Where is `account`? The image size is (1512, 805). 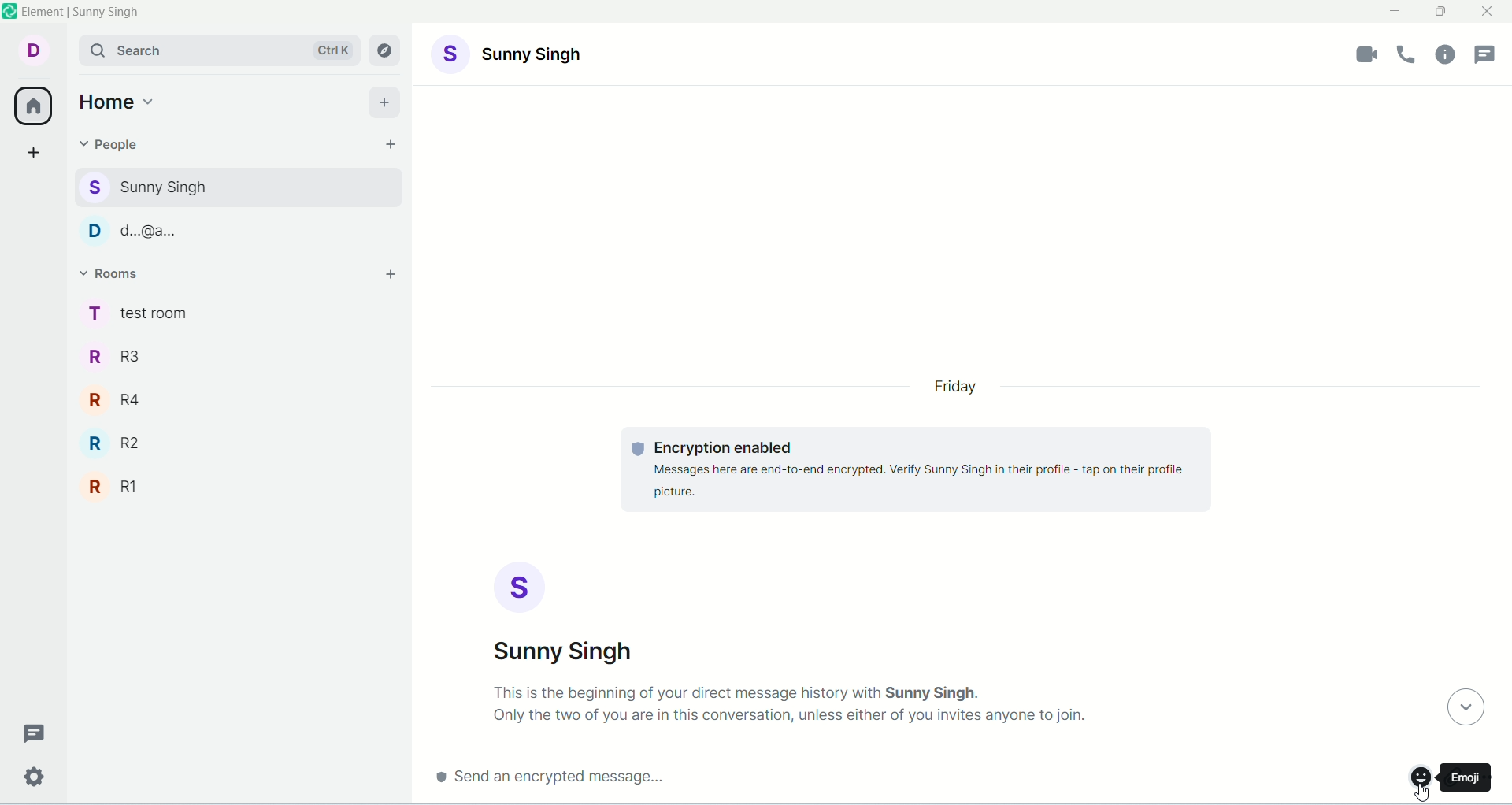
account is located at coordinates (35, 50).